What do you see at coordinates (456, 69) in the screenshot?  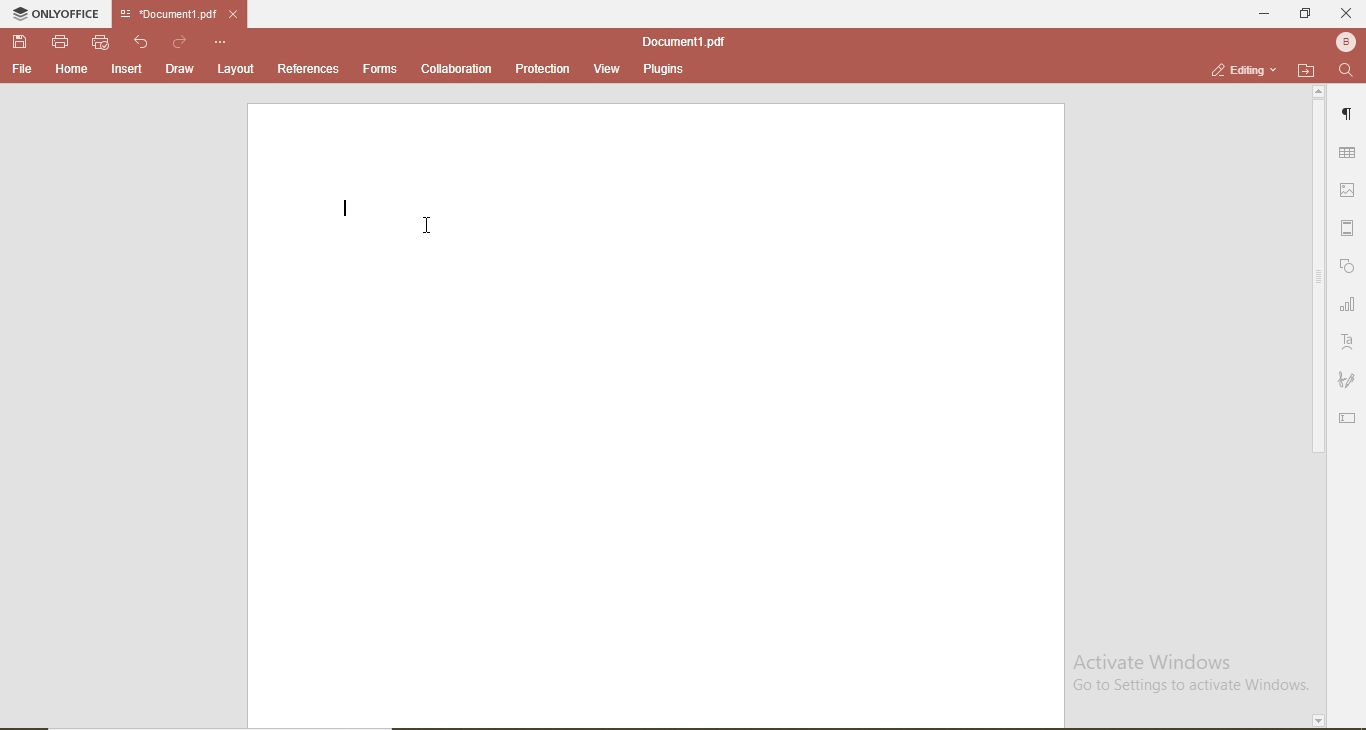 I see `collaboration` at bounding box center [456, 69].